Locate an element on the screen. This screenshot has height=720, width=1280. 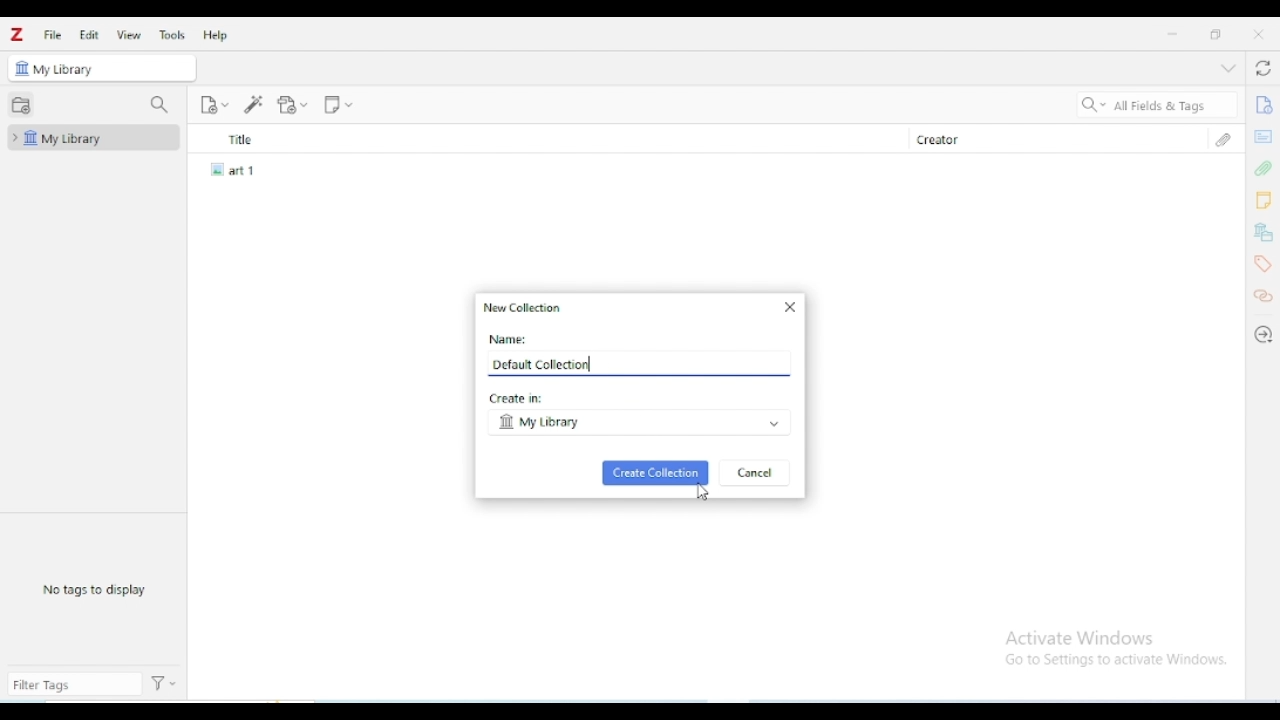
new item is located at coordinates (214, 104).